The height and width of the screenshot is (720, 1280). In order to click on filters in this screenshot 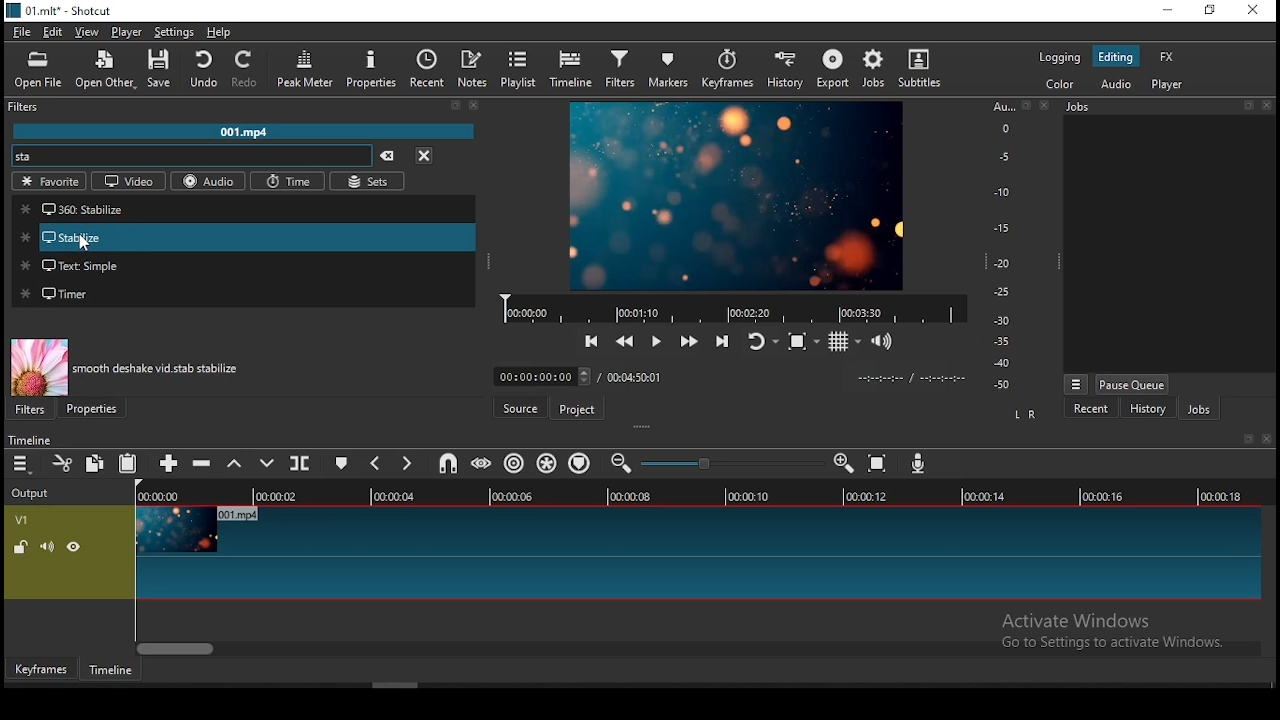, I will do `click(35, 409)`.